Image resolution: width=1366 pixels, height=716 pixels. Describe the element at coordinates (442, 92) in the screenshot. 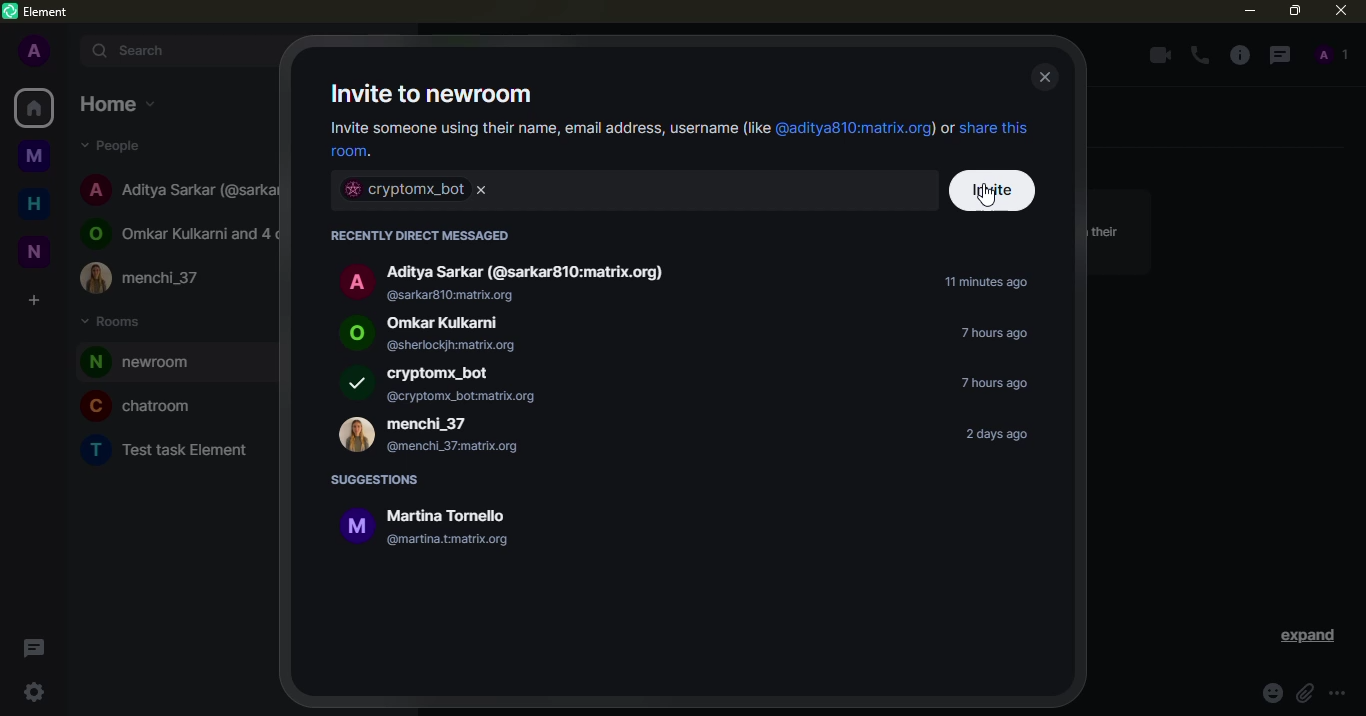

I see `invite to newroom` at that location.